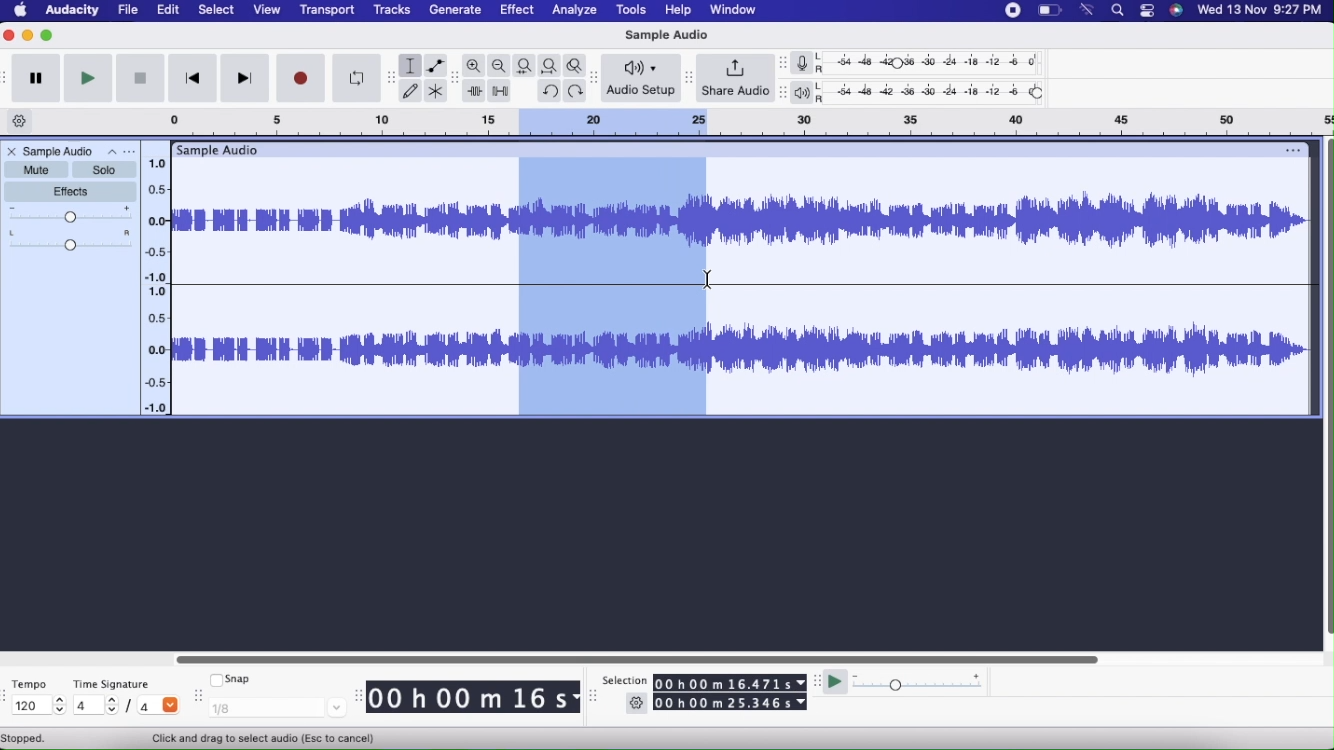  I want to click on Undo, so click(549, 89).